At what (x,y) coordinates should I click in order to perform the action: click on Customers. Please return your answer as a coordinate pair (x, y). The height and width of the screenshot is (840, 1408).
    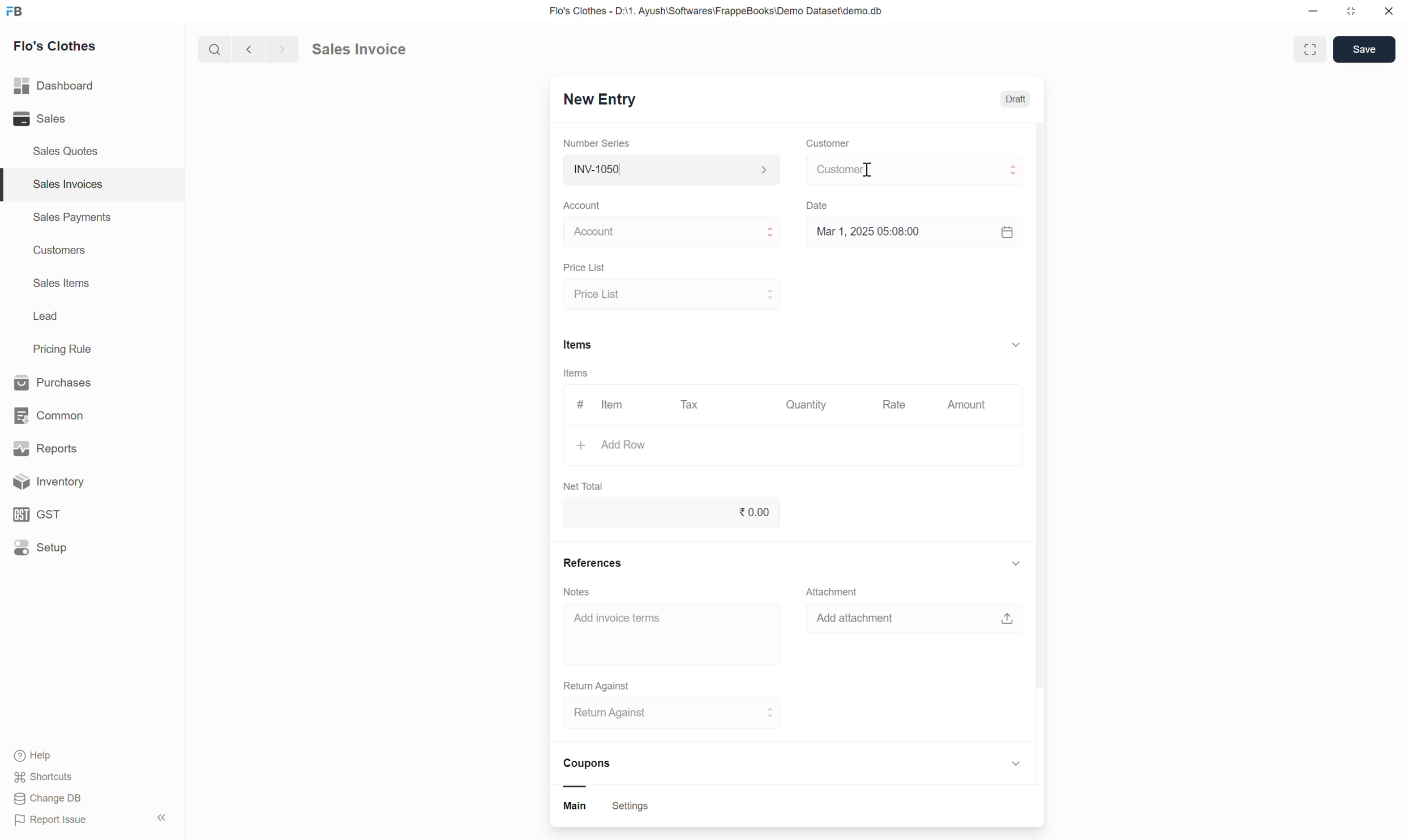
    Looking at the image, I should click on (58, 252).